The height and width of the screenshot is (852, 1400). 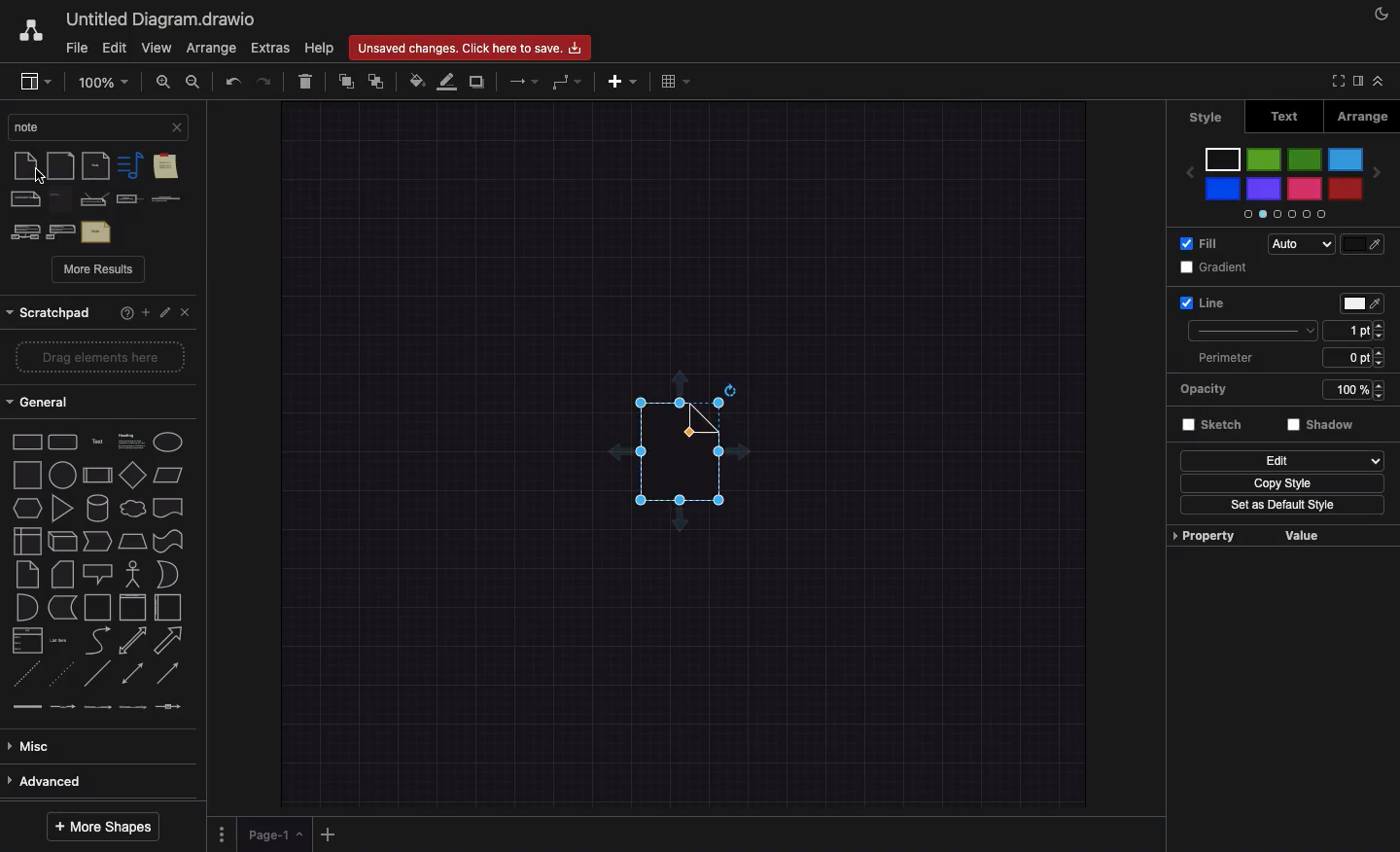 What do you see at coordinates (169, 541) in the screenshot?
I see `tape` at bounding box center [169, 541].